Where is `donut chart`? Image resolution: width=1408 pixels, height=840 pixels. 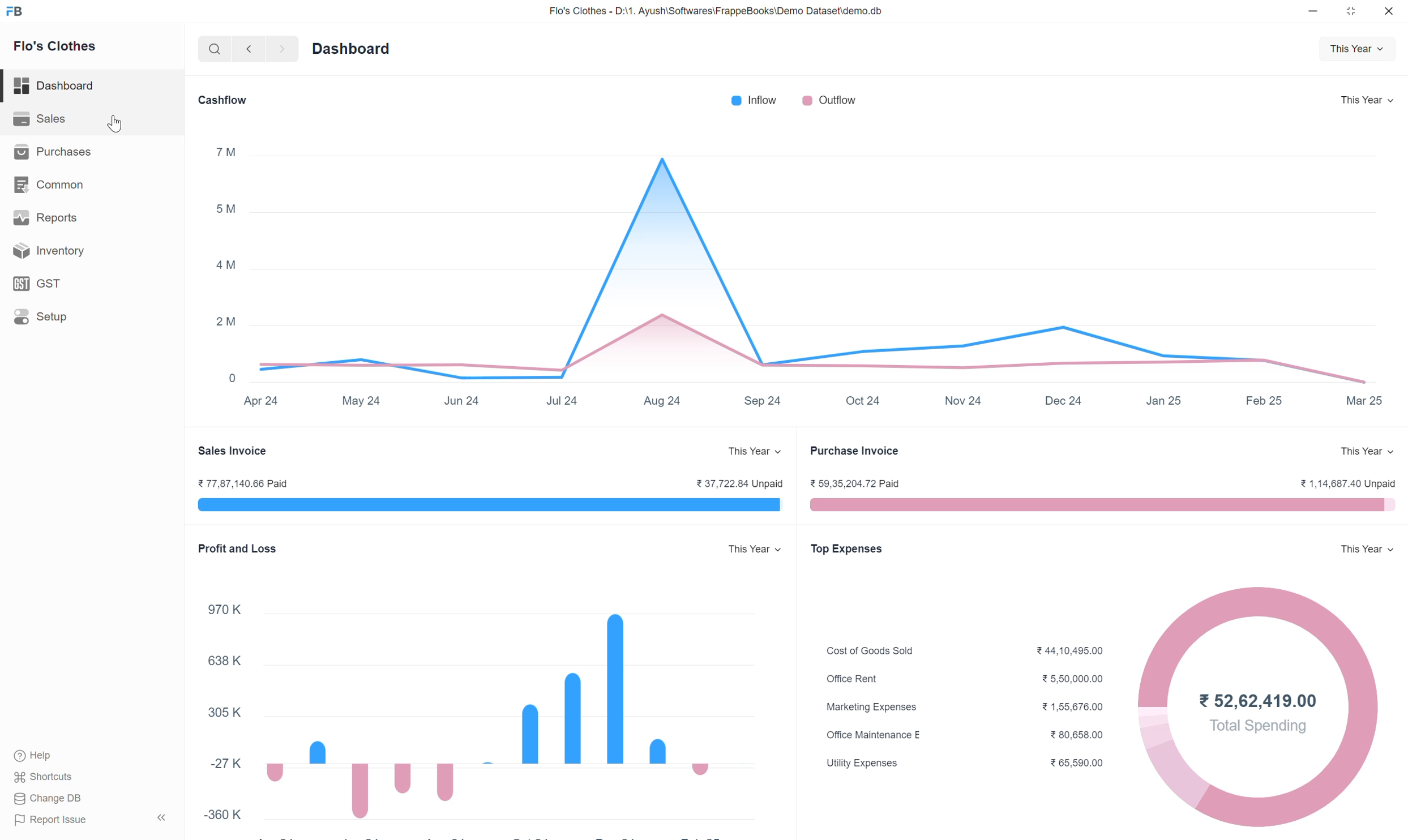 donut chart is located at coordinates (1259, 635).